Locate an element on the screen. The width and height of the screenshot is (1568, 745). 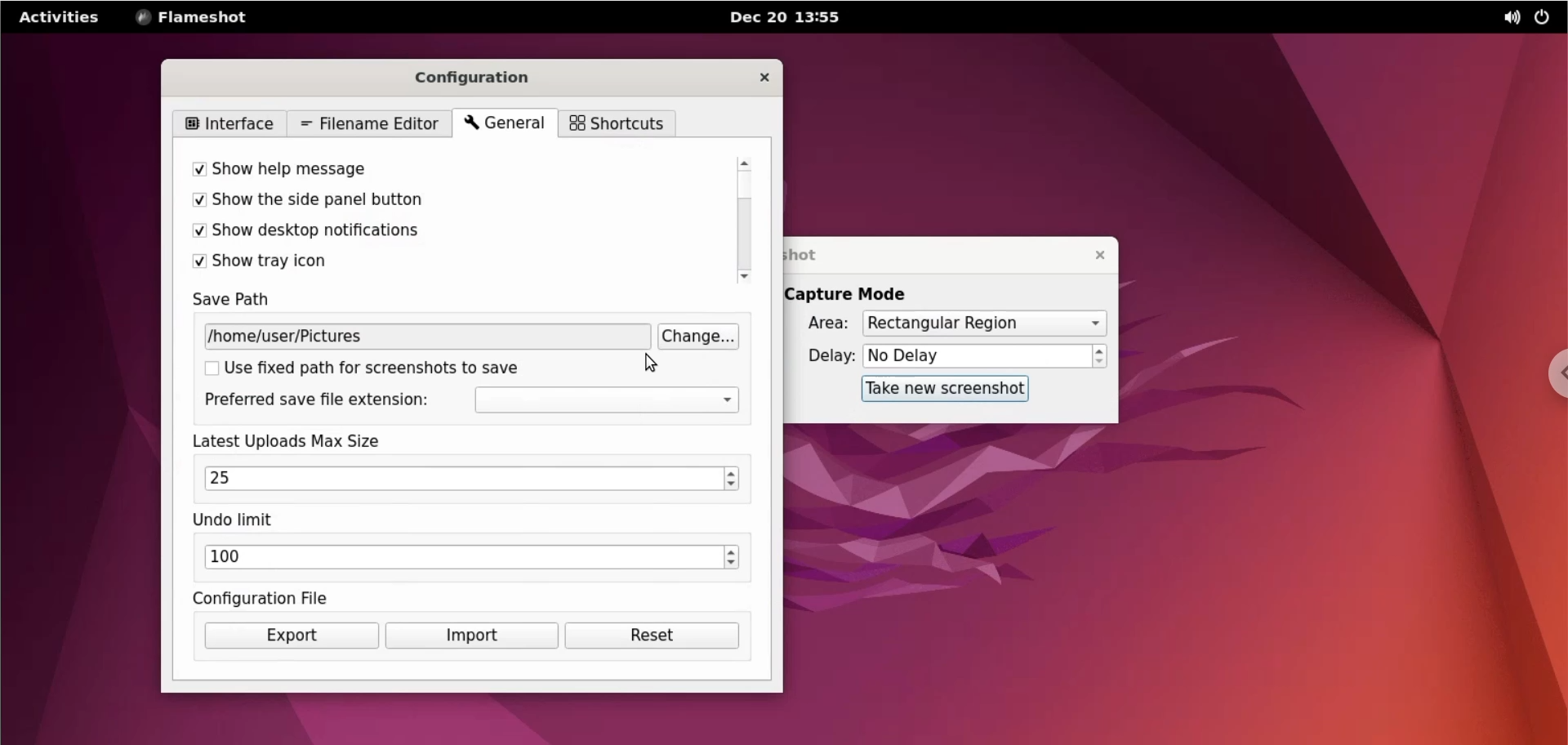
save path is located at coordinates (244, 300).